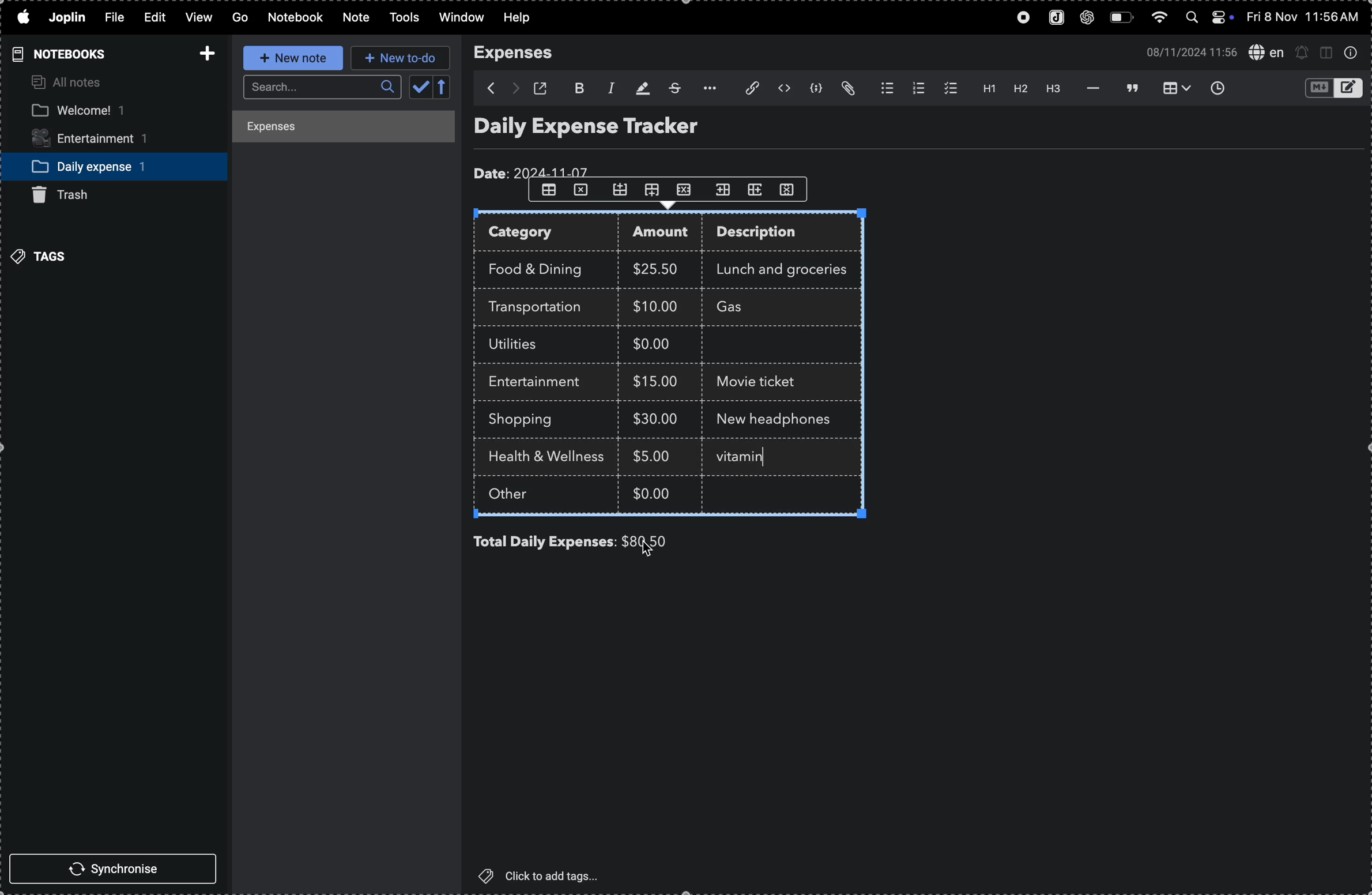 Image resolution: width=1372 pixels, height=895 pixels. Describe the element at coordinates (112, 18) in the screenshot. I see `file` at that location.